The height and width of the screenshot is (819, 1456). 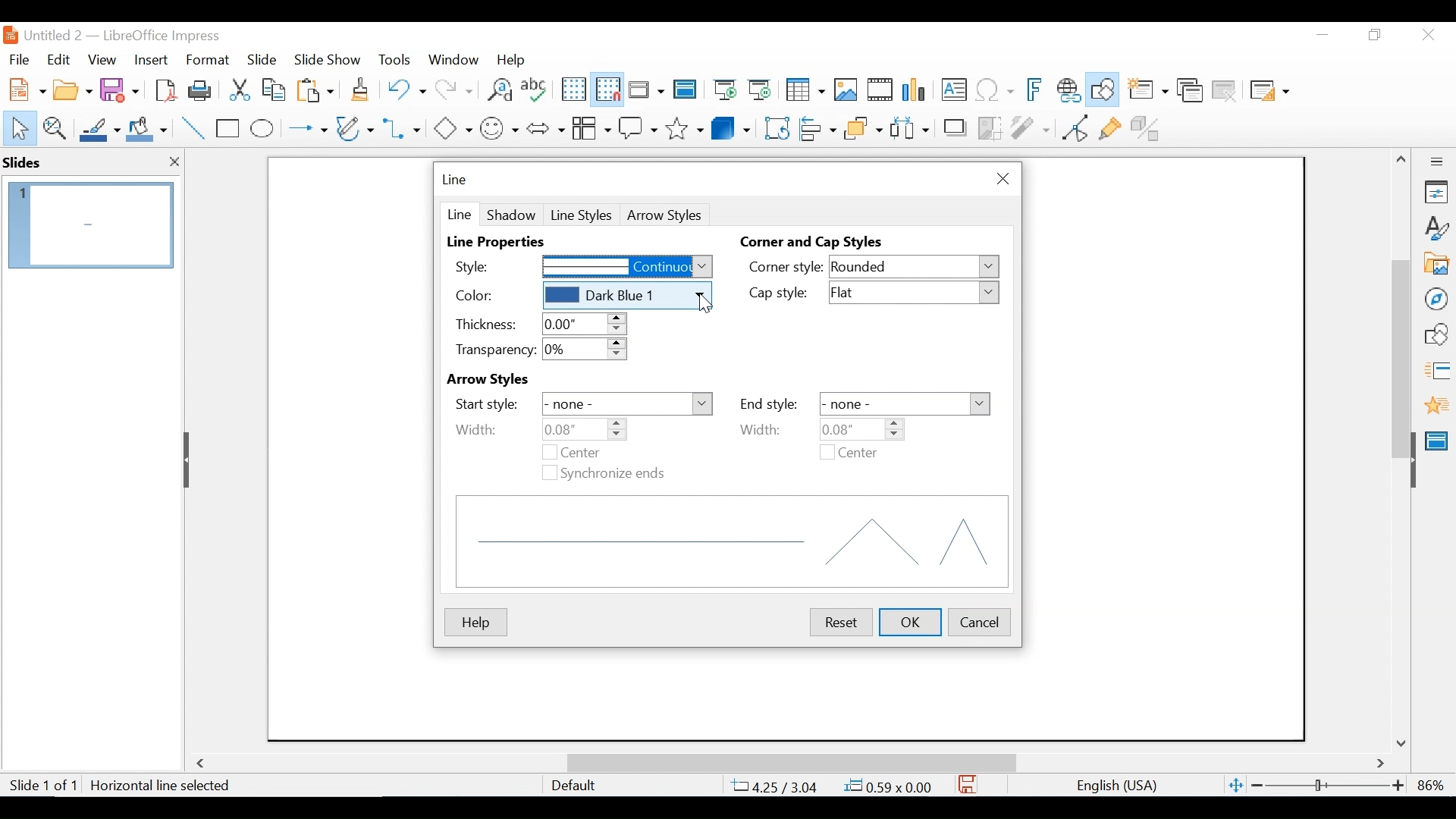 What do you see at coordinates (72, 88) in the screenshot?
I see `Open` at bounding box center [72, 88].